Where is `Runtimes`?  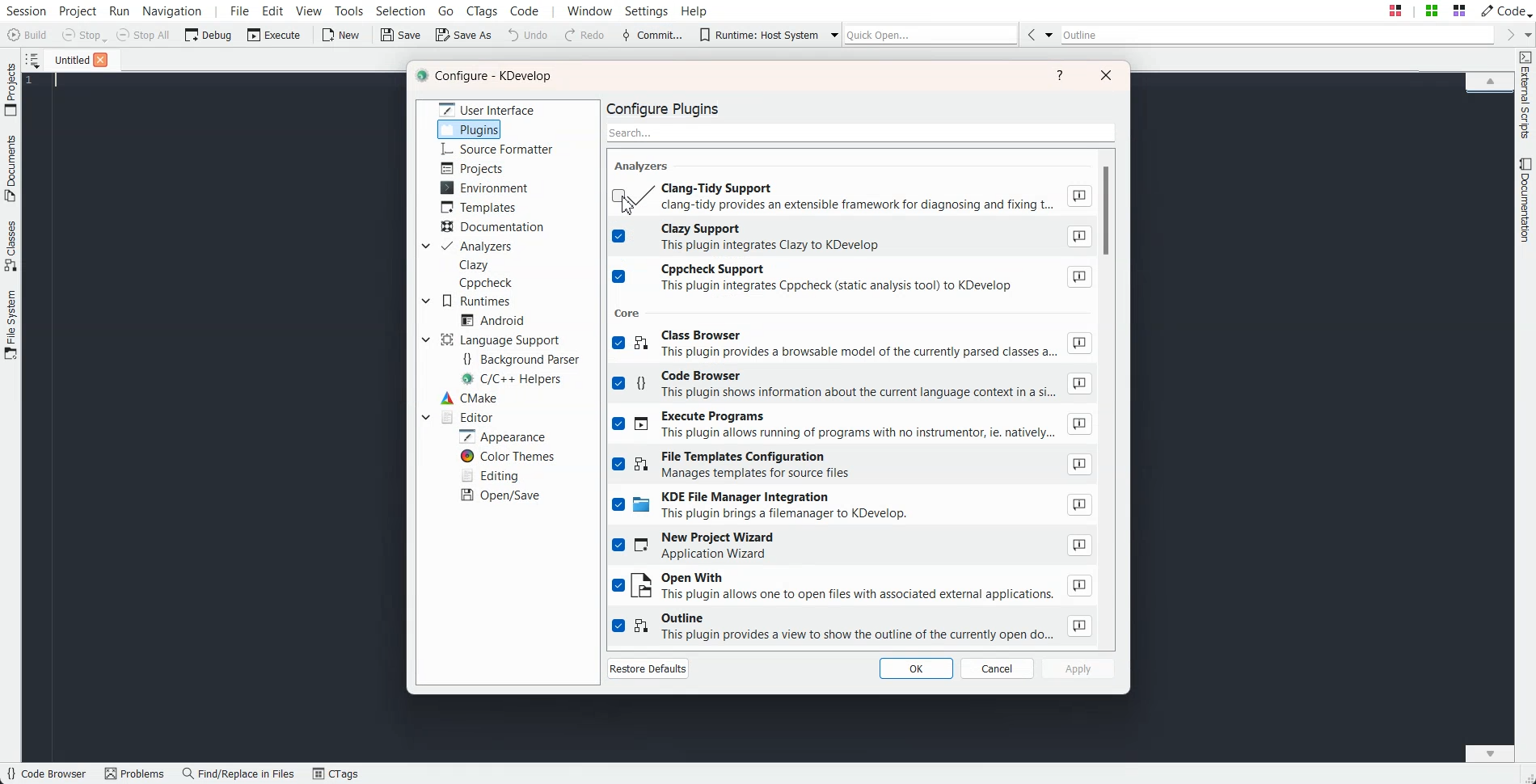
Runtimes is located at coordinates (477, 301).